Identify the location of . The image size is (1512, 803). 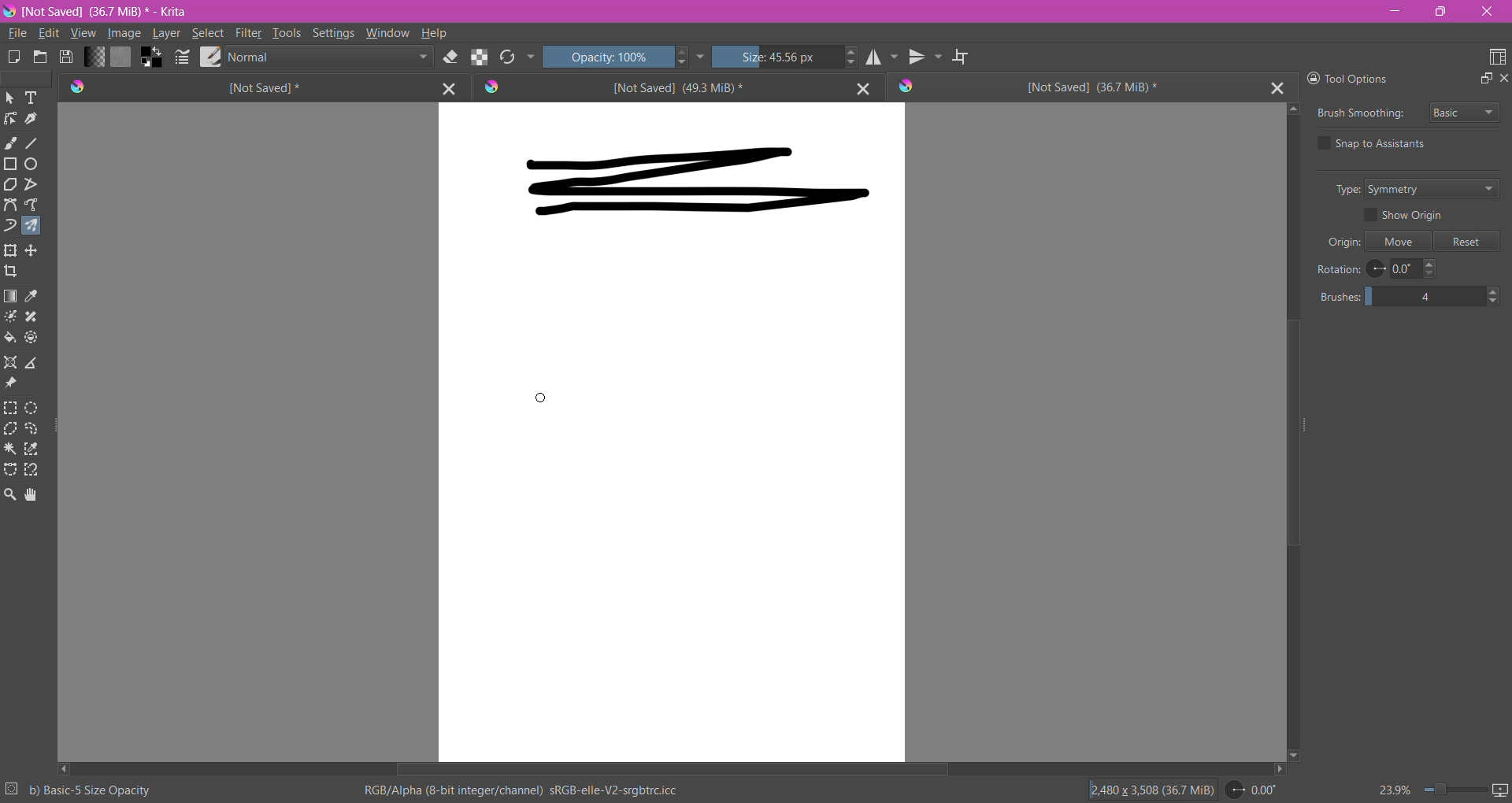
(332, 34).